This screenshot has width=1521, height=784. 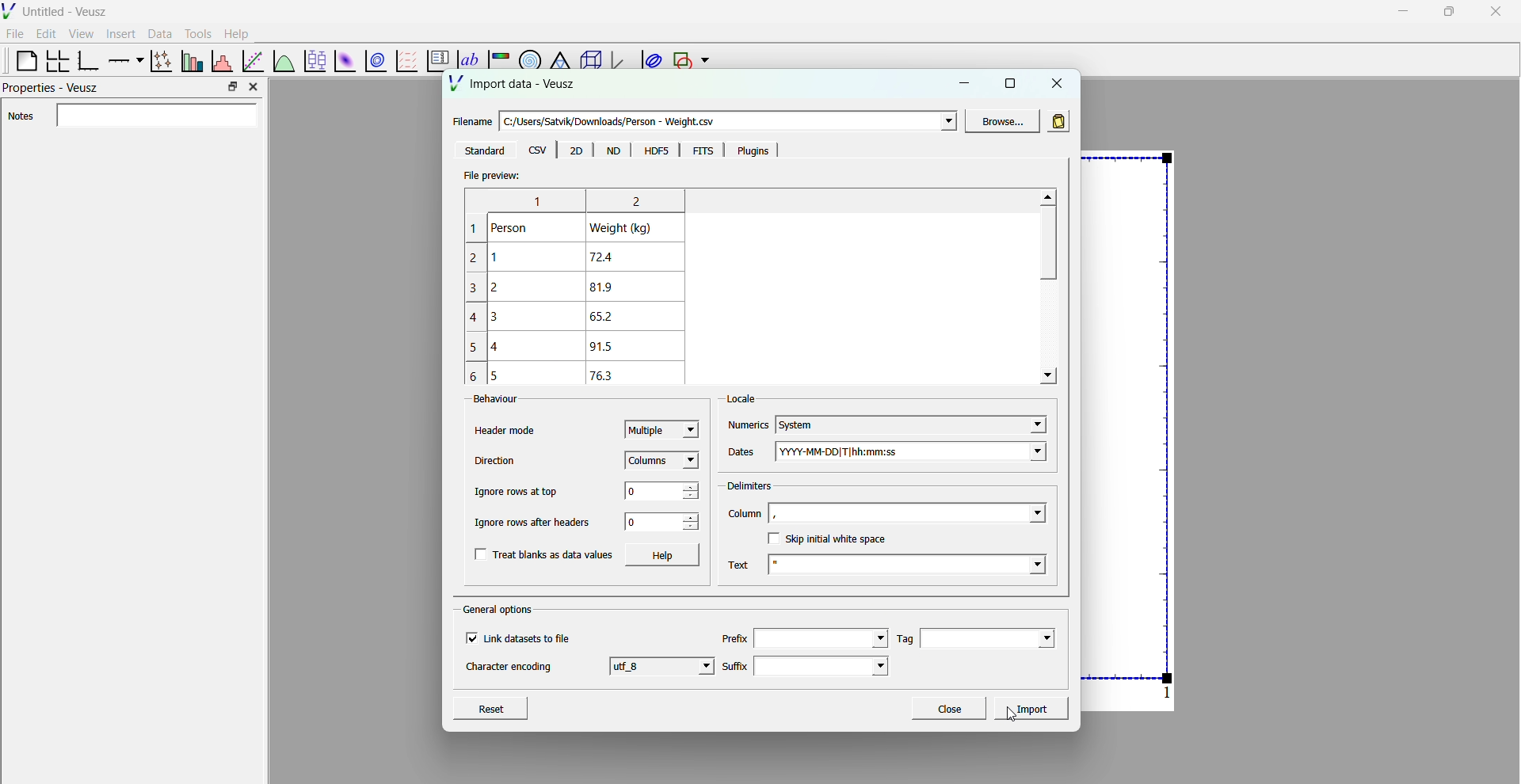 I want to click on 2D, so click(x=575, y=150).